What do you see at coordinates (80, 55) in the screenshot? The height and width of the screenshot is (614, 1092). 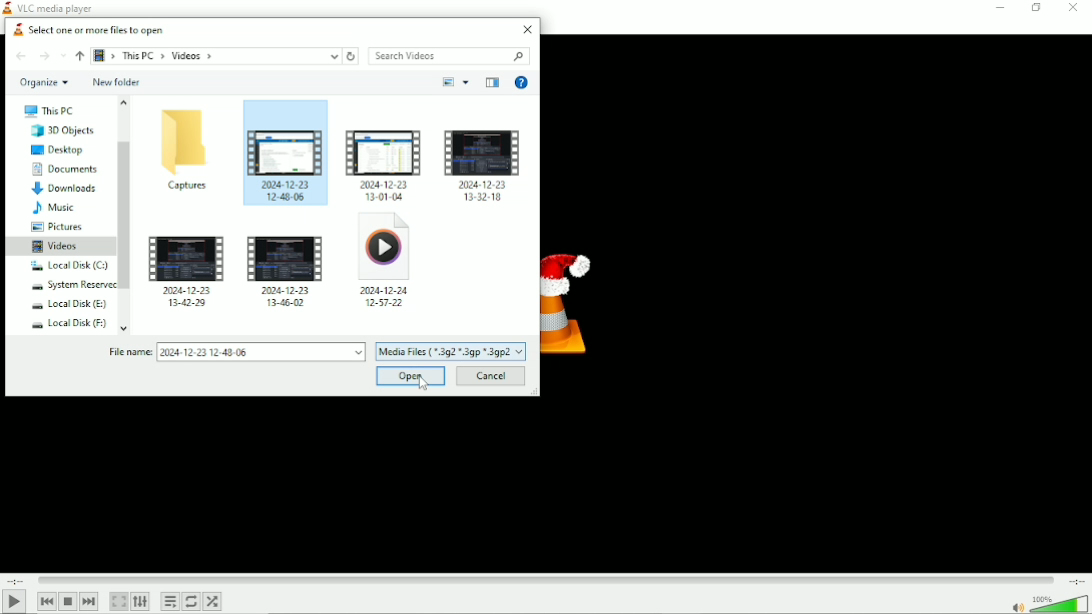 I see `Up to ''This PC''` at bounding box center [80, 55].